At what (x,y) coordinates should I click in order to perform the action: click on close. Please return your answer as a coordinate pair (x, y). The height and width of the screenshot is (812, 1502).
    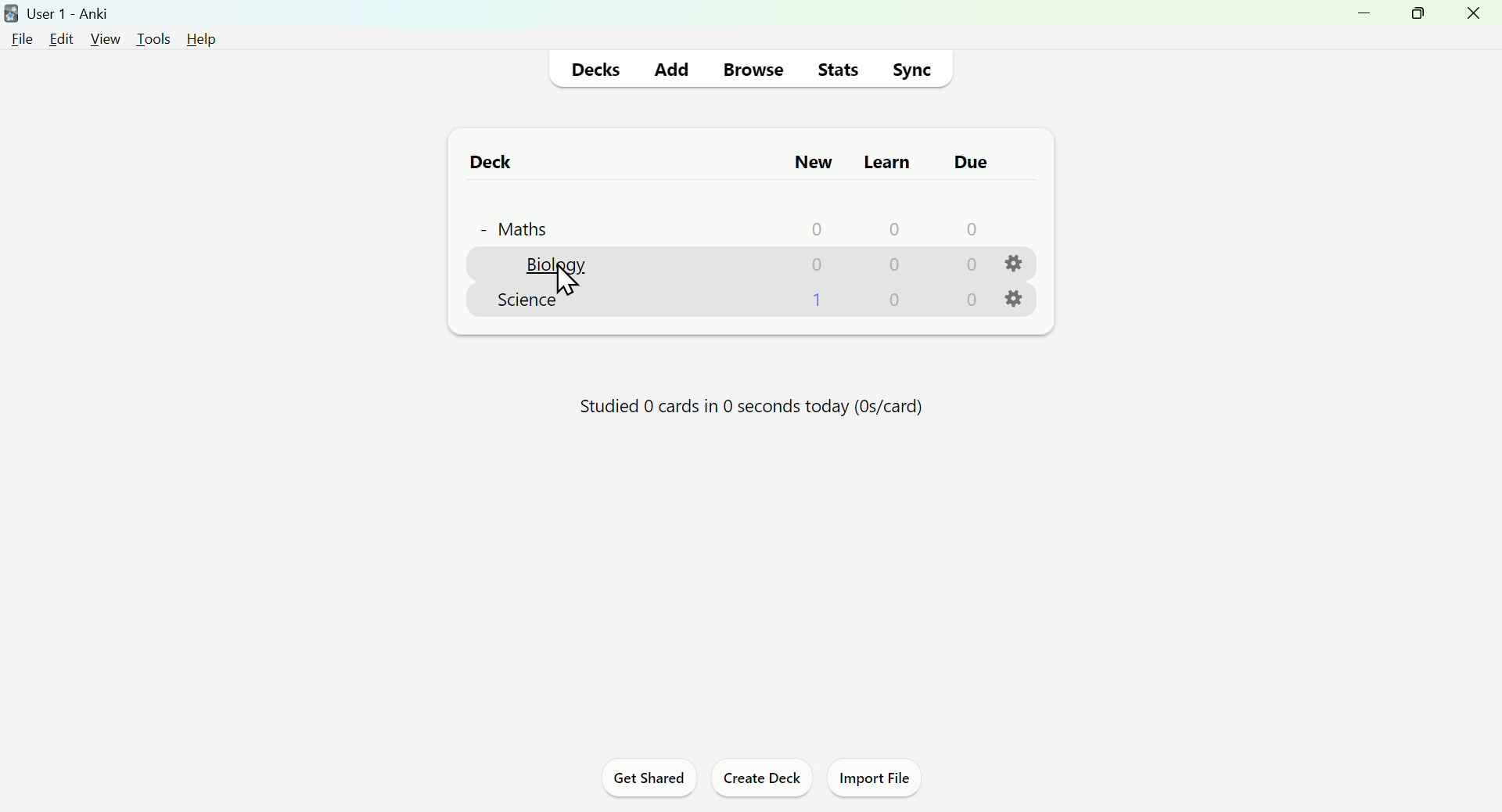
    Looking at the image, I should click on (1474, 16).